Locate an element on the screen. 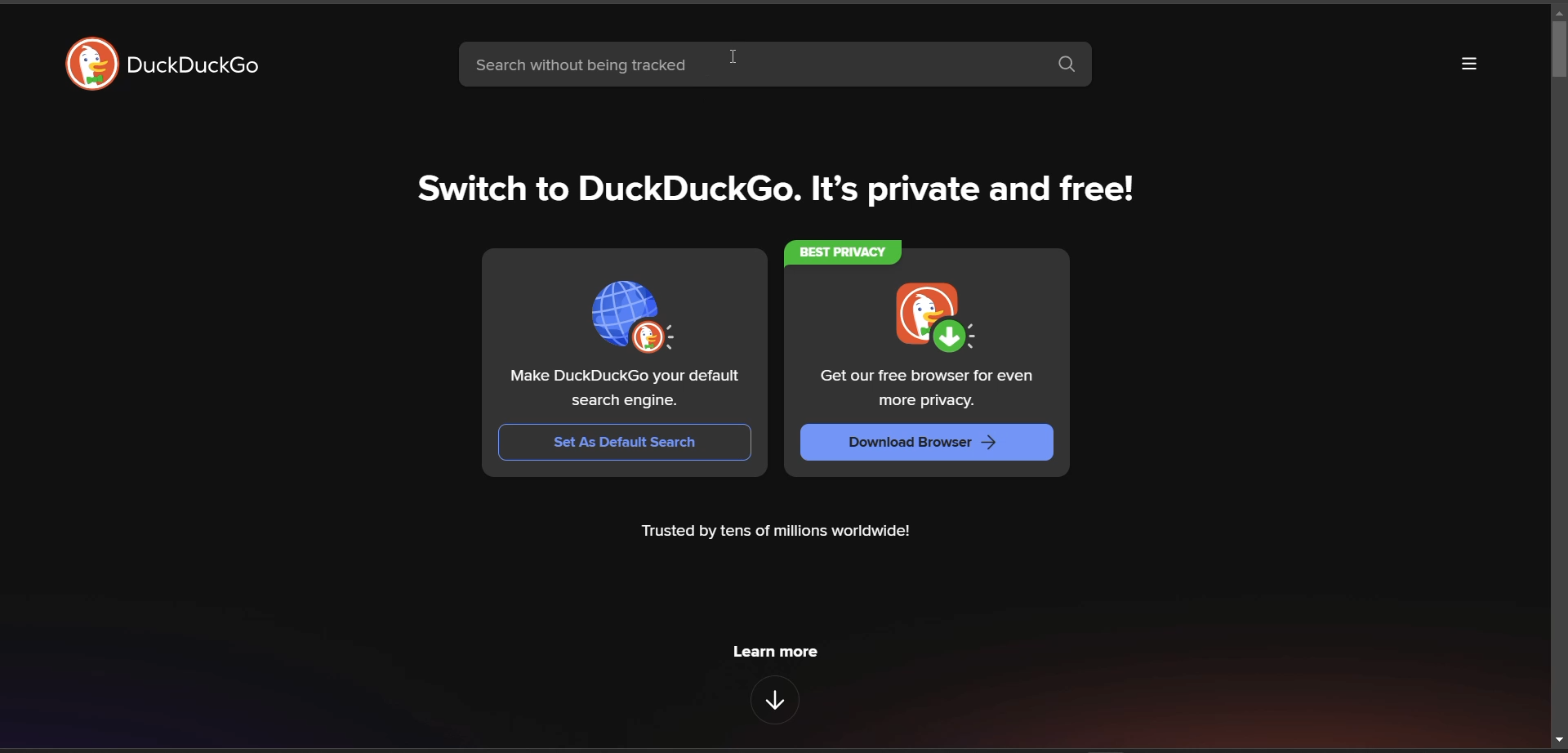 This screenshot has height=753, width=1568. DuckDuckGo is located at coordinates (195, 65).